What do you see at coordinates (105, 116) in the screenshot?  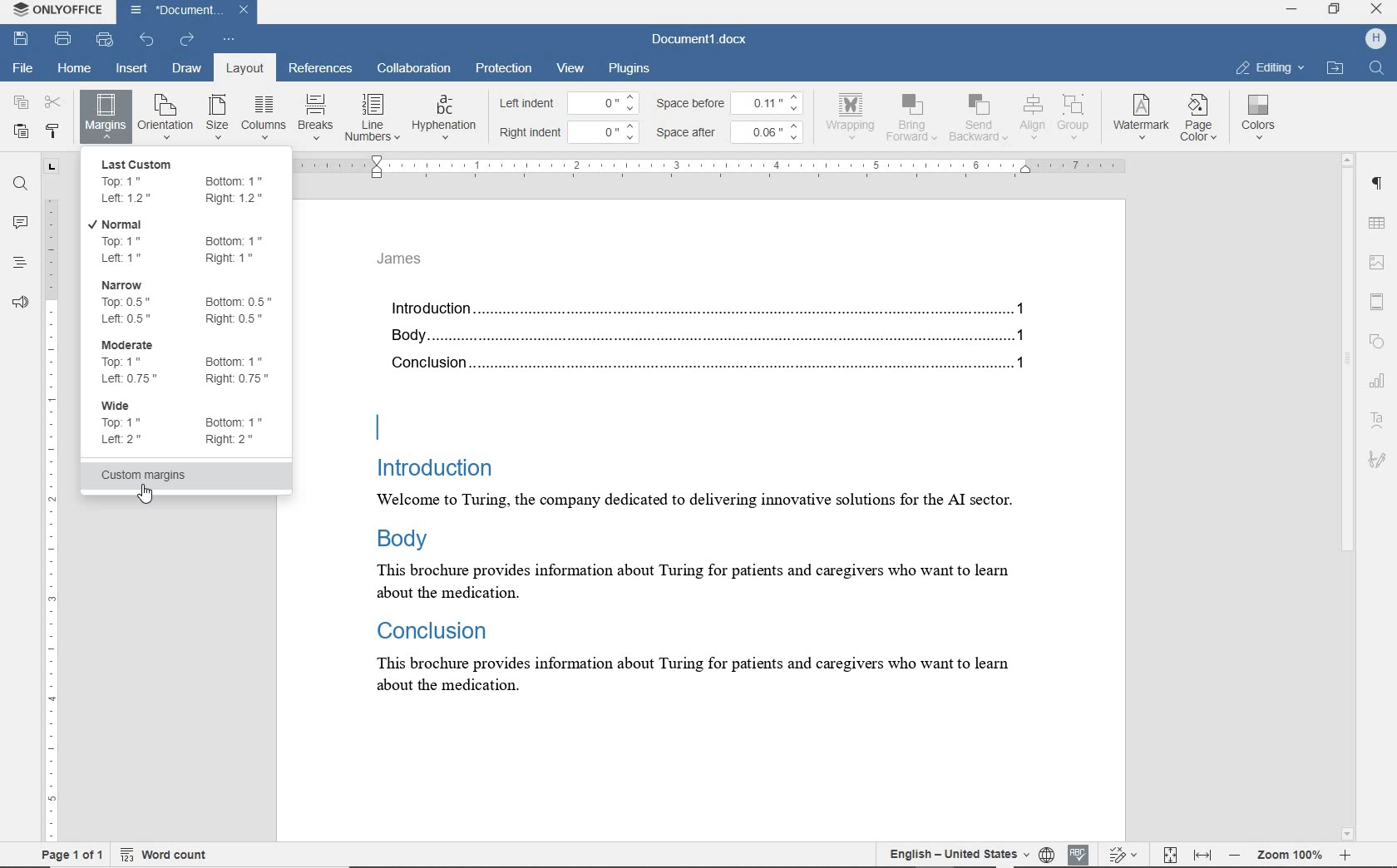 I see `margins` at bounding box center [105, 116].